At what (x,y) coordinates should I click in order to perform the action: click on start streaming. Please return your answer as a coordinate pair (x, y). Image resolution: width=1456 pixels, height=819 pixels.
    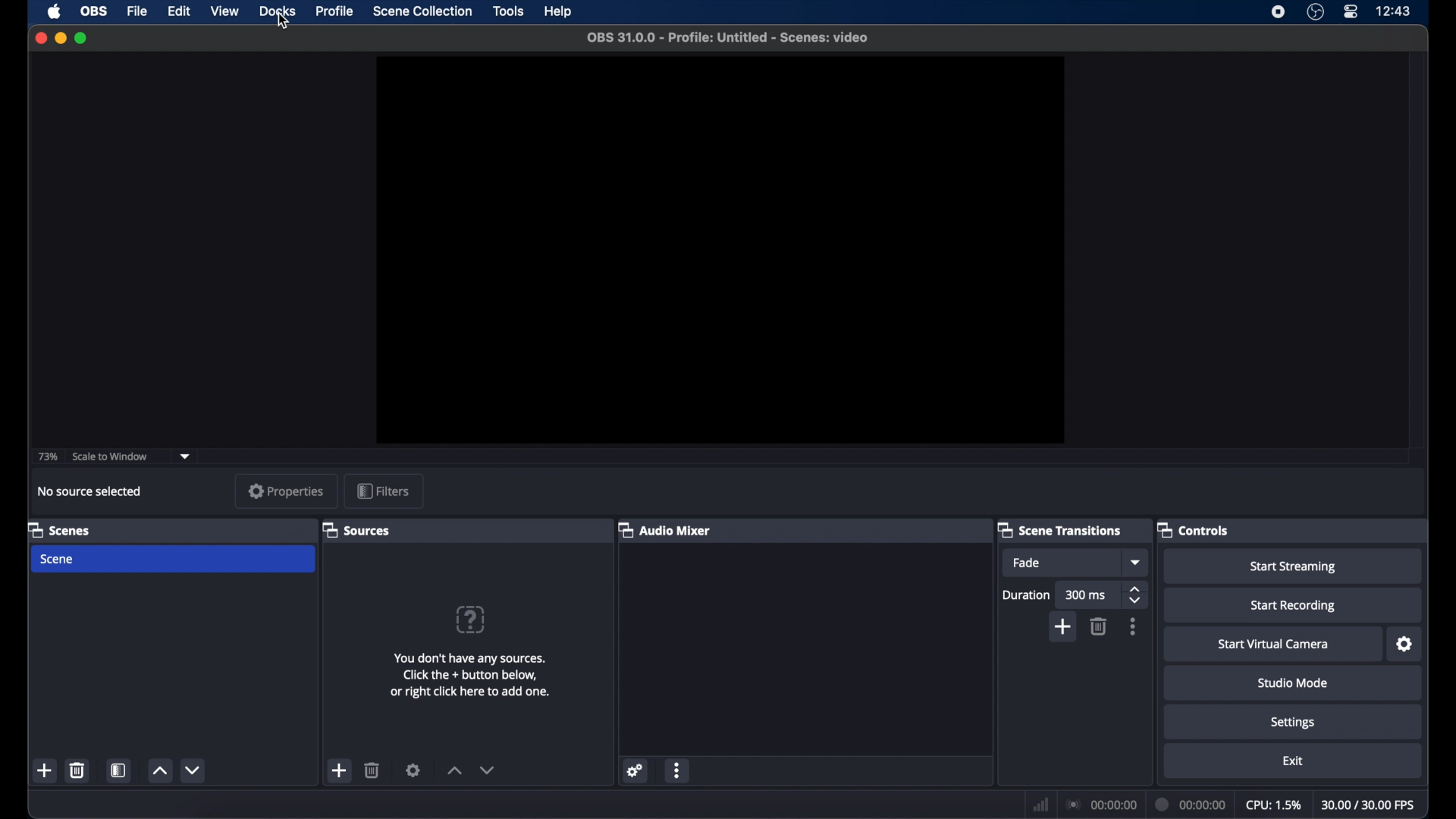
    Looking at the image, I should click on (1295, 567).